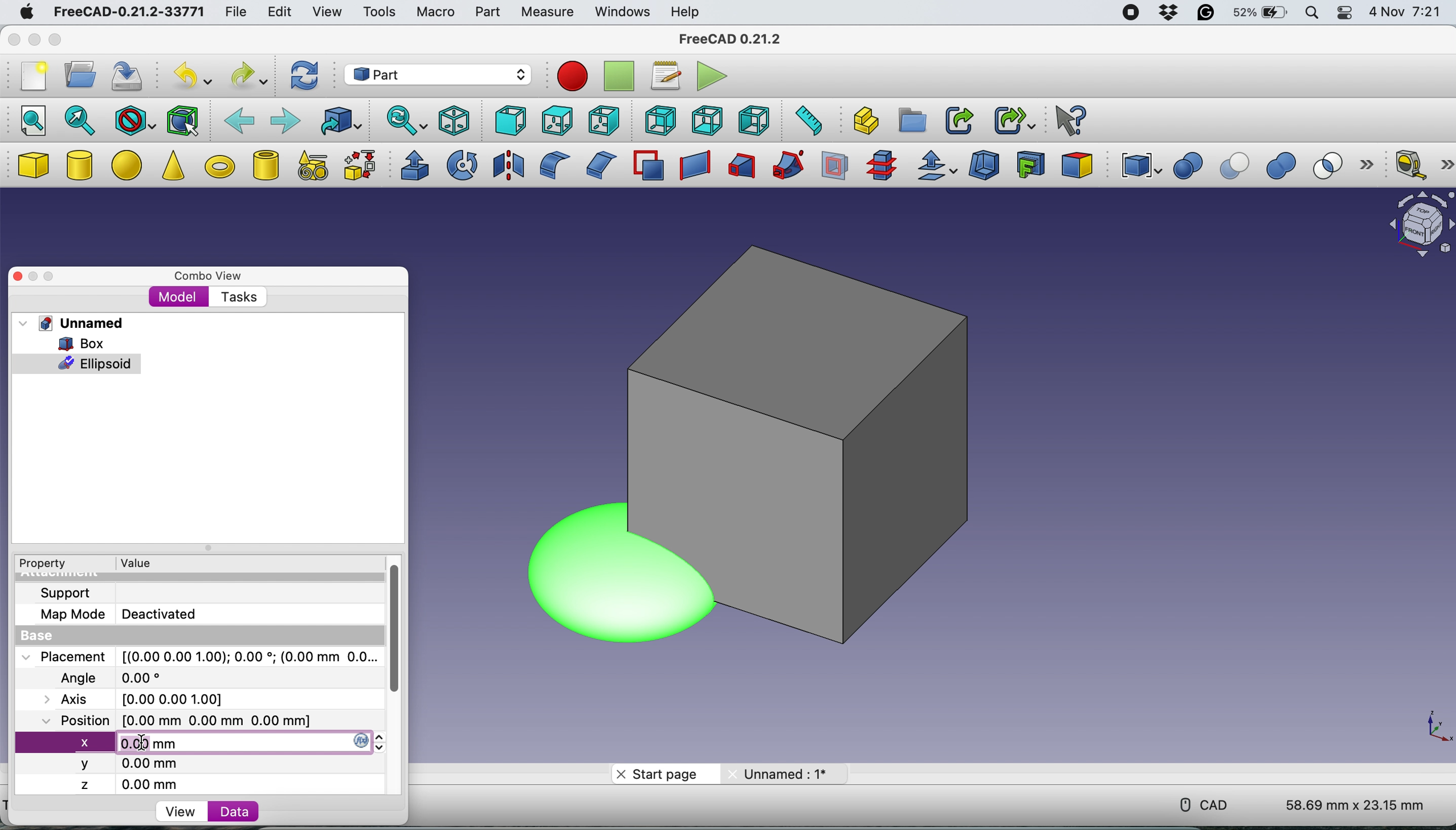  Describe the element at coordinates (1357, 806) in the screenshot. I see `58.69 mm x 23.15 mm` at that location.